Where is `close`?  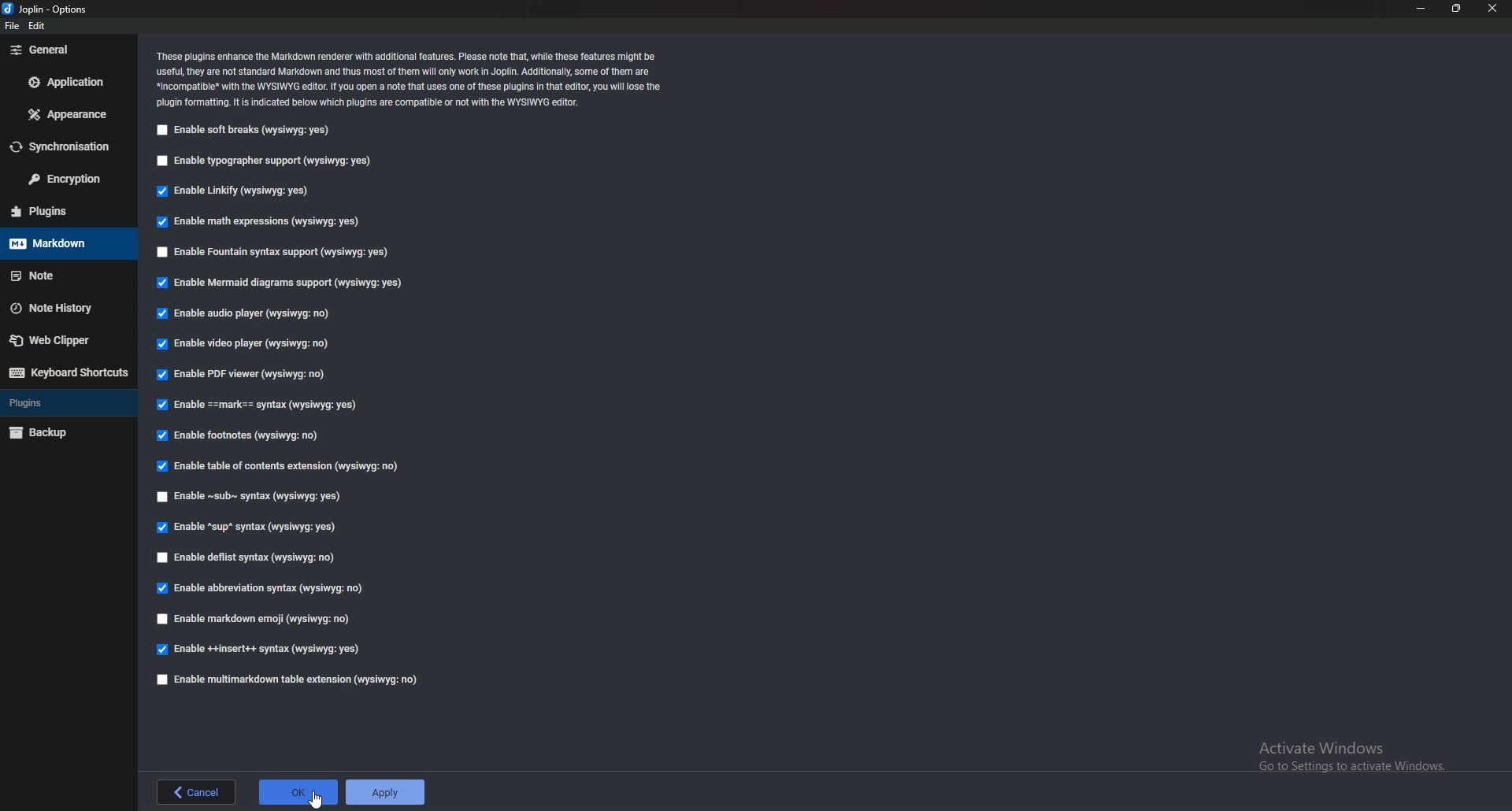 close is located at coordinates (1494, 8).